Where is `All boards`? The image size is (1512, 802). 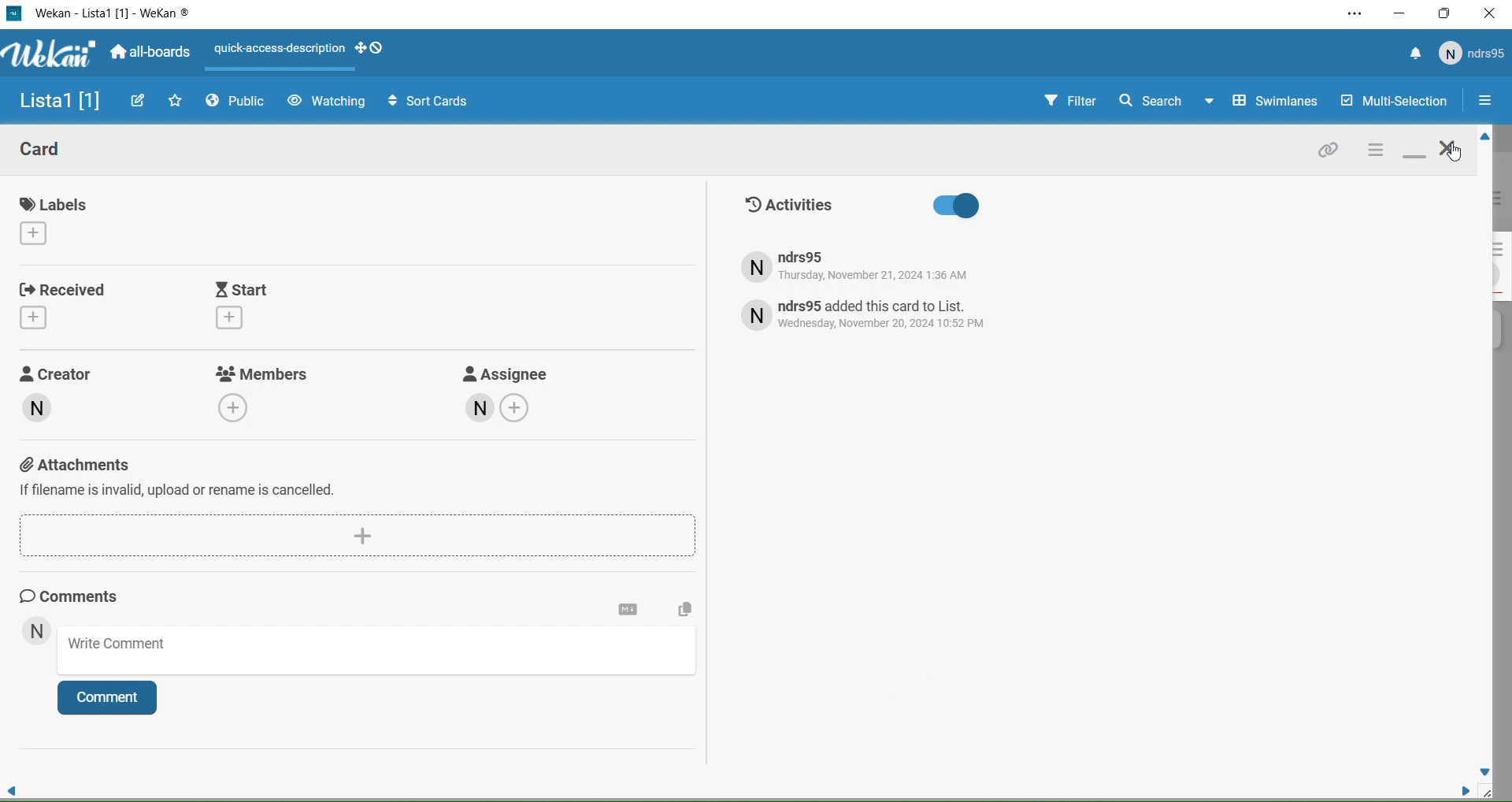
All boards is located at coordinates (152, 54).